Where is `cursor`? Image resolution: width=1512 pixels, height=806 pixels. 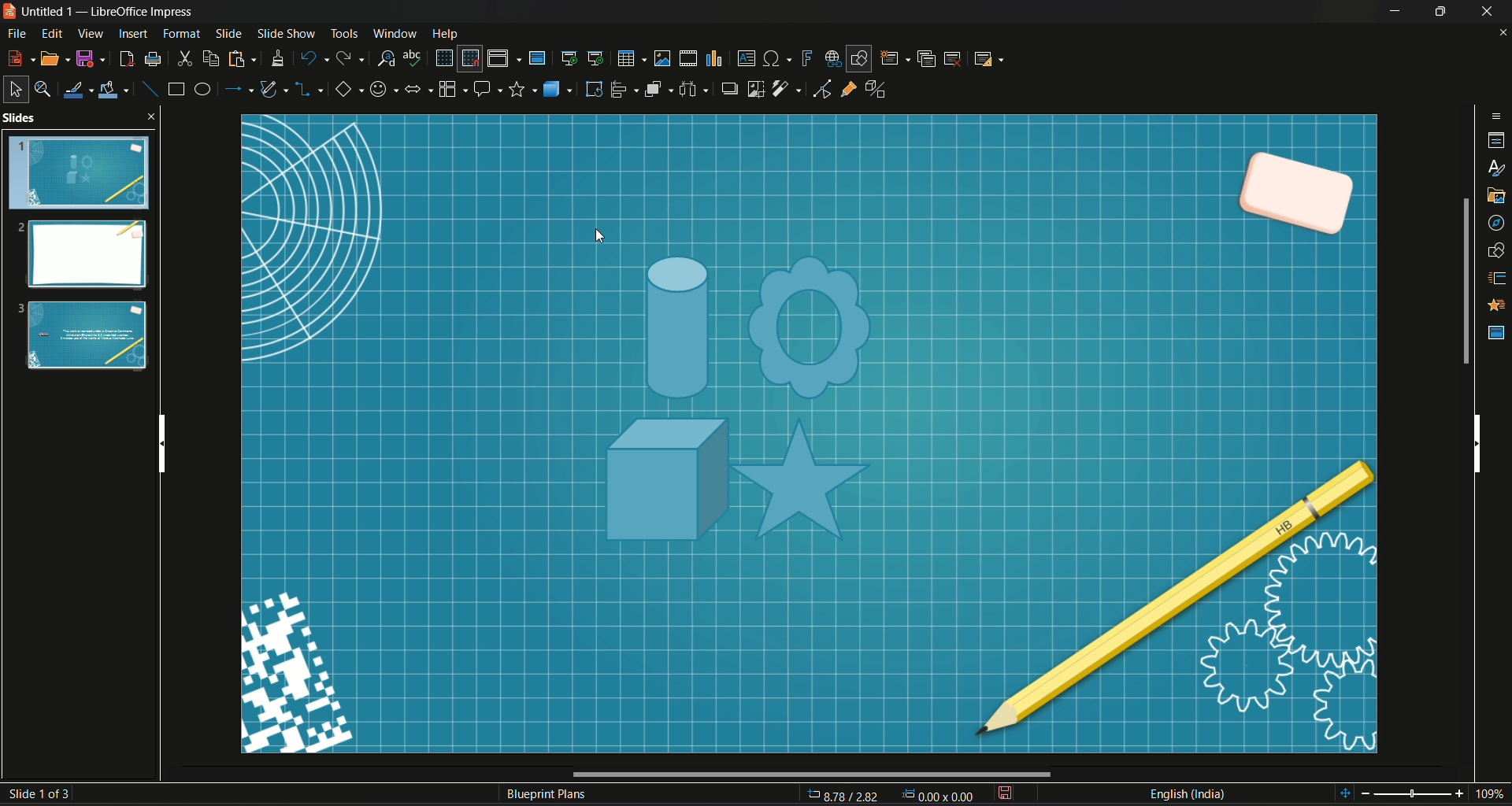
cursor is located at coordinates (602, 232).